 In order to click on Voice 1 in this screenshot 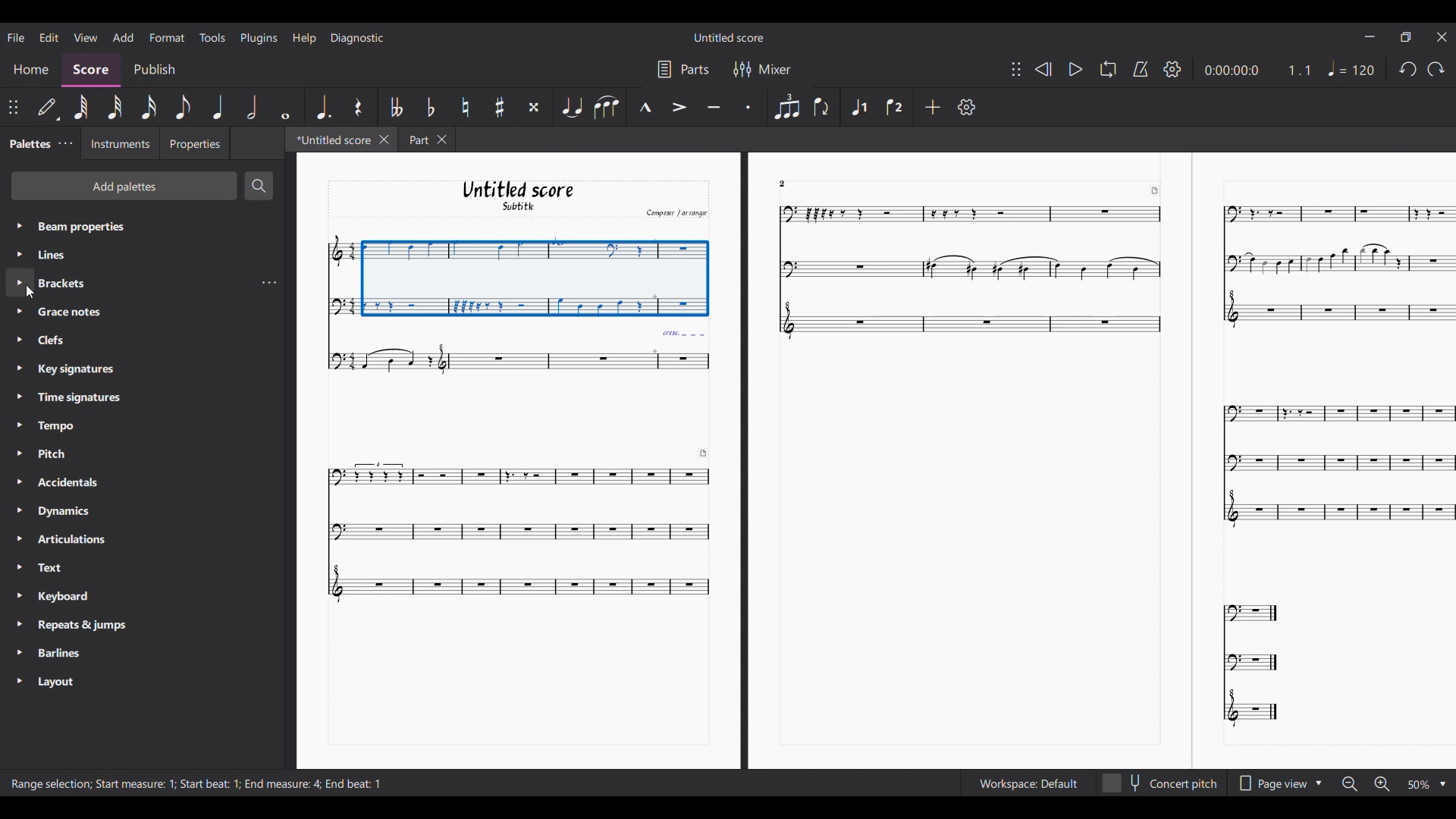, I will do `click(859, 105)`.